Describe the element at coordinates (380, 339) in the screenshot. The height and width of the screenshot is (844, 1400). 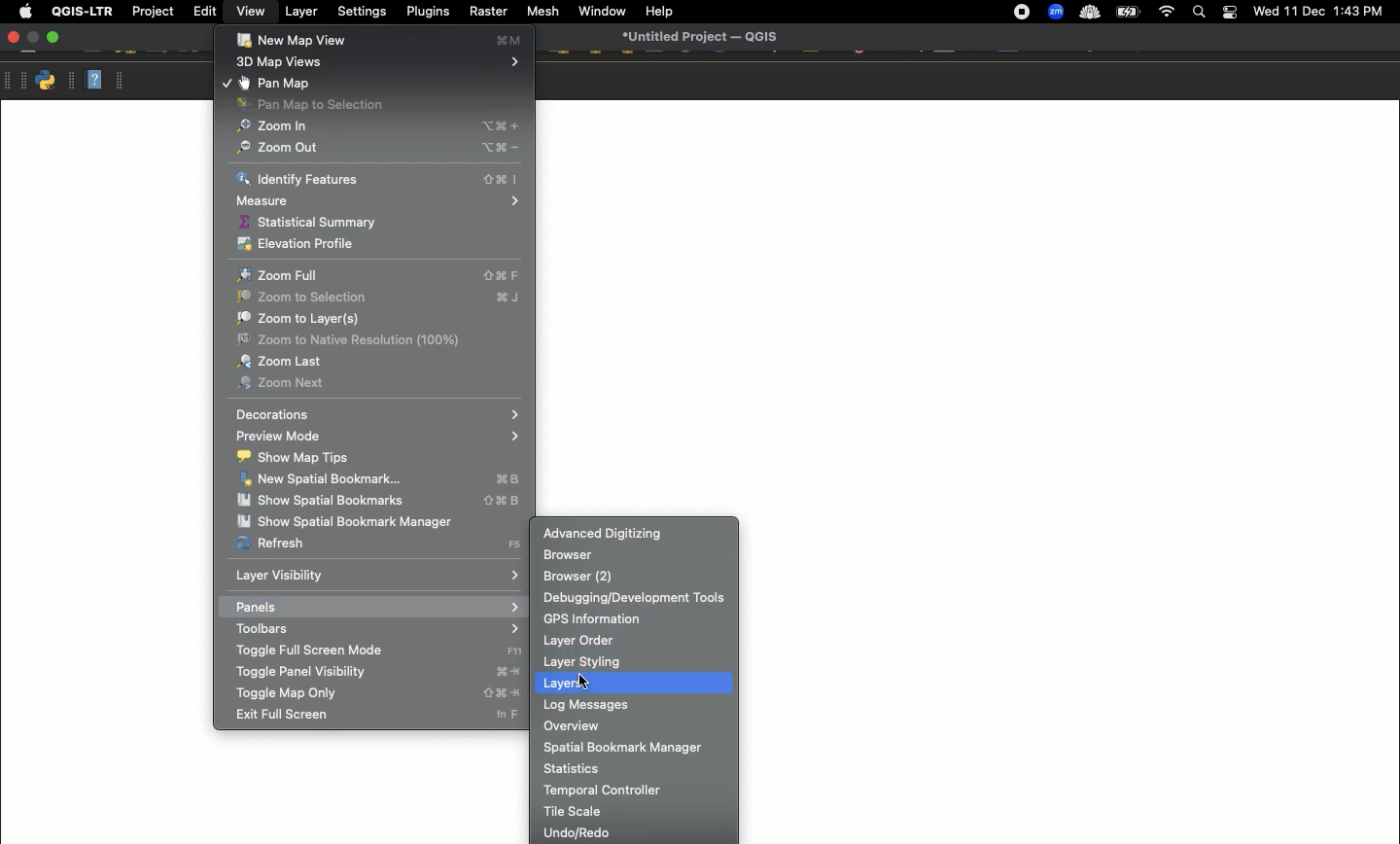
I see `Zoom to native resolution` at that location.